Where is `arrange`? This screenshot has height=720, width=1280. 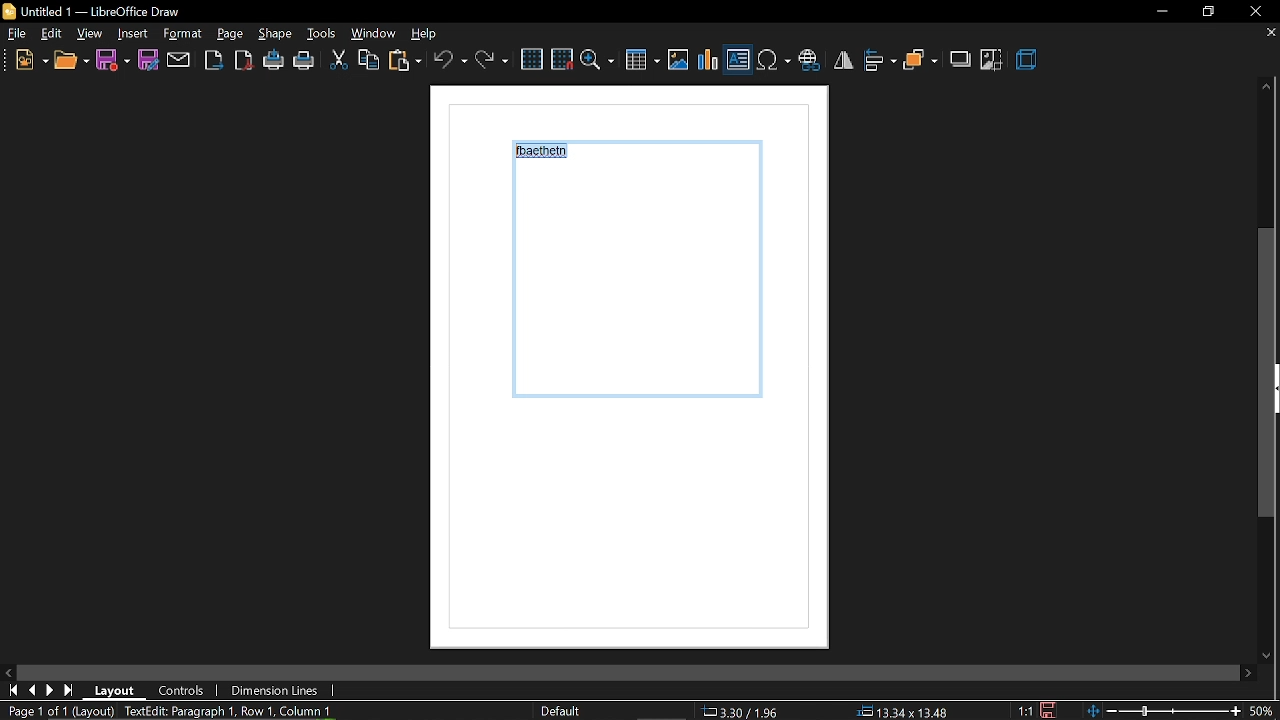 arrange is located at coordinates (921, 62).